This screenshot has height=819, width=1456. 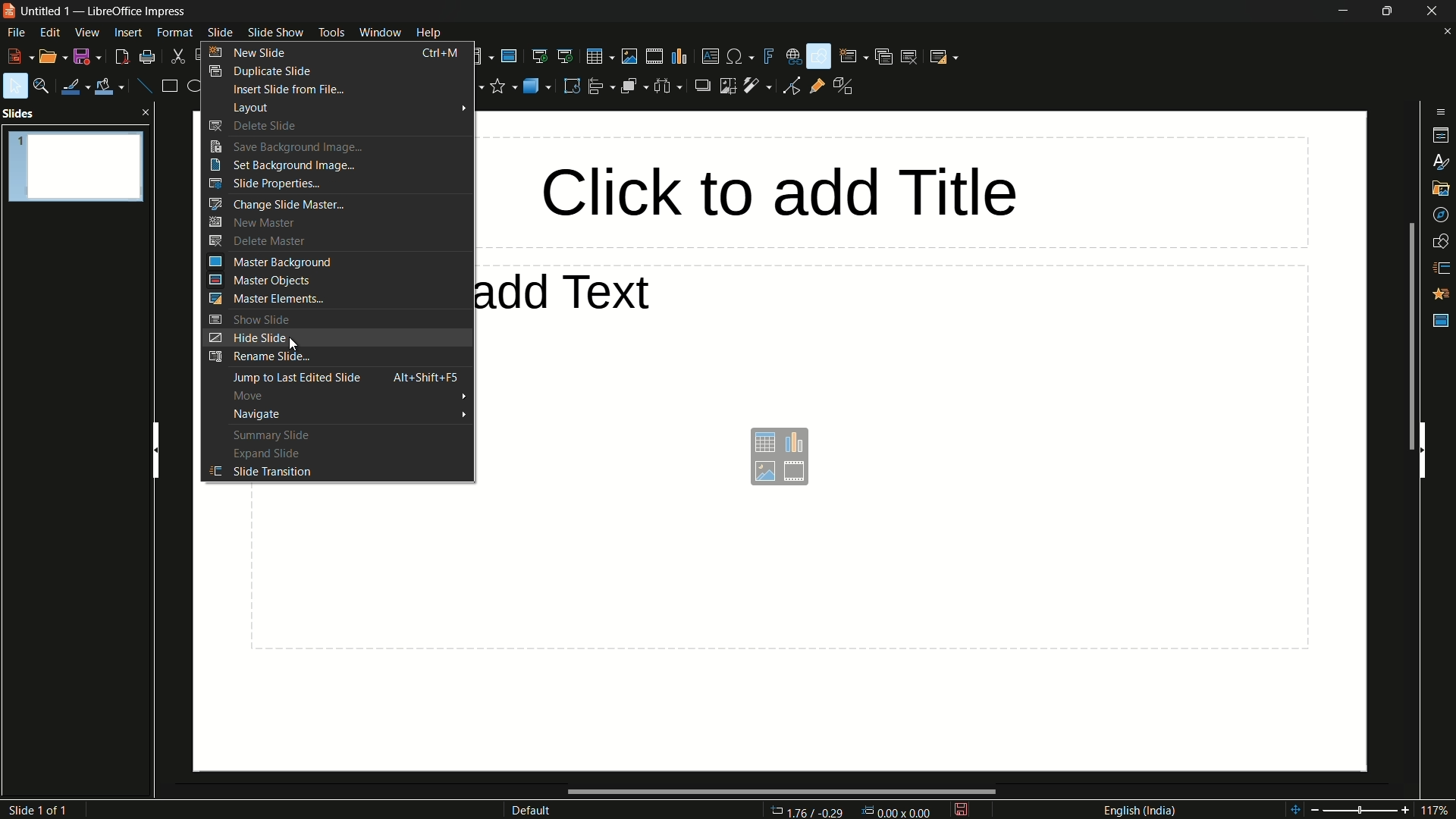 I want to click on hide, so click(x=1424, y=450).